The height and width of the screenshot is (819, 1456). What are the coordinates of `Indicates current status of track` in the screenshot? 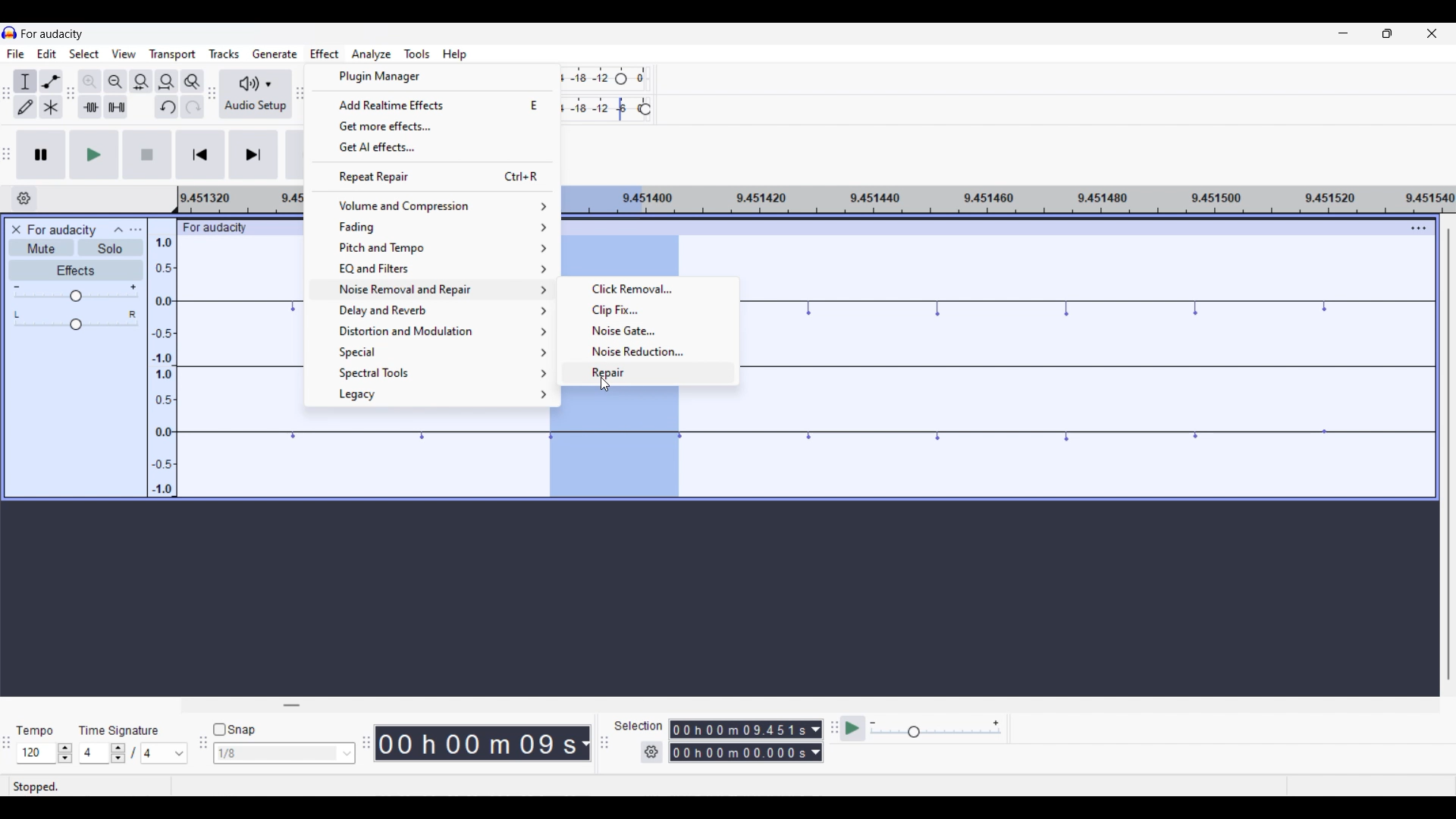 It's located at (39, 786).